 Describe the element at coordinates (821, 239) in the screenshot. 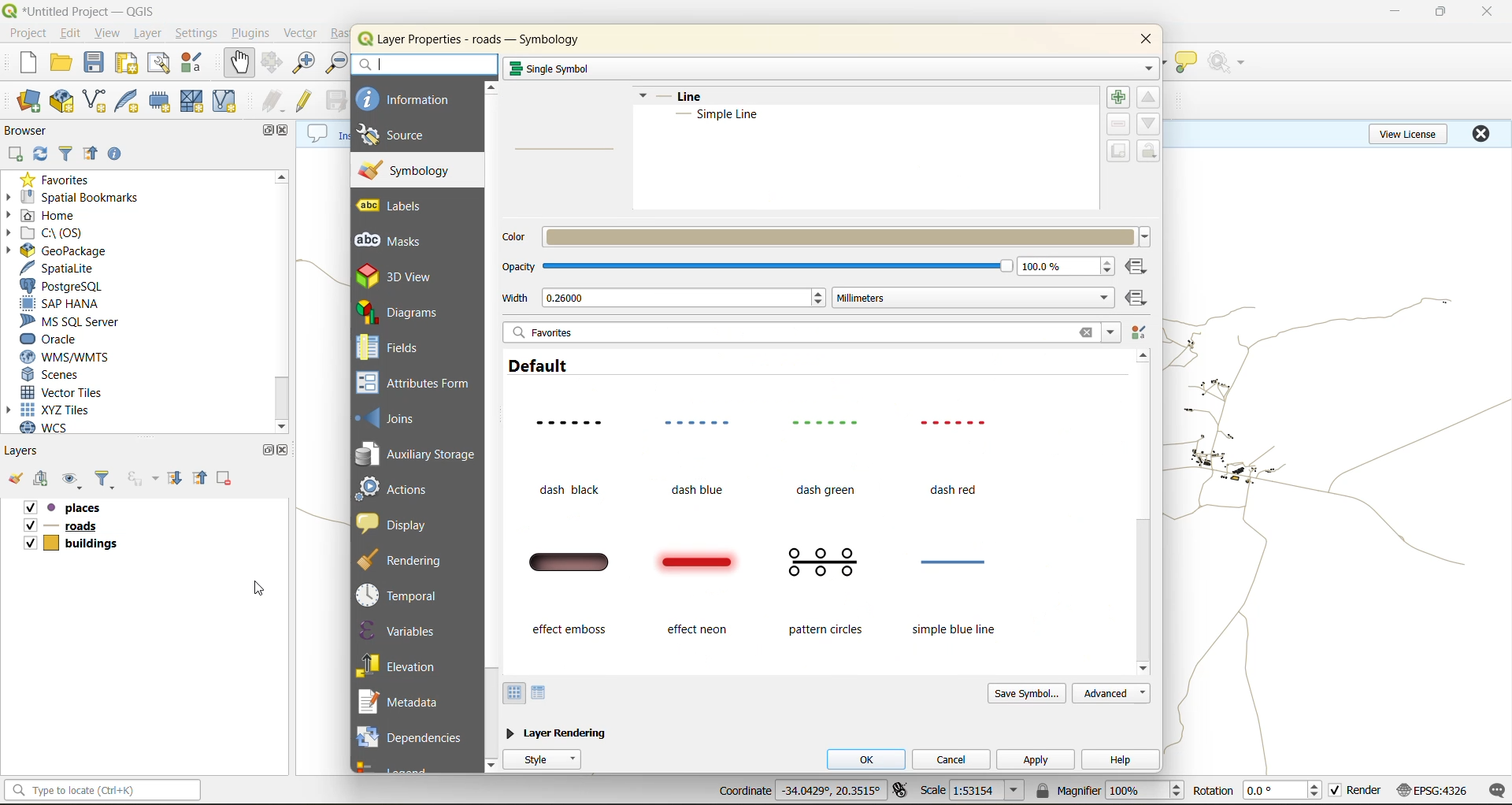

I see `color` at that location.